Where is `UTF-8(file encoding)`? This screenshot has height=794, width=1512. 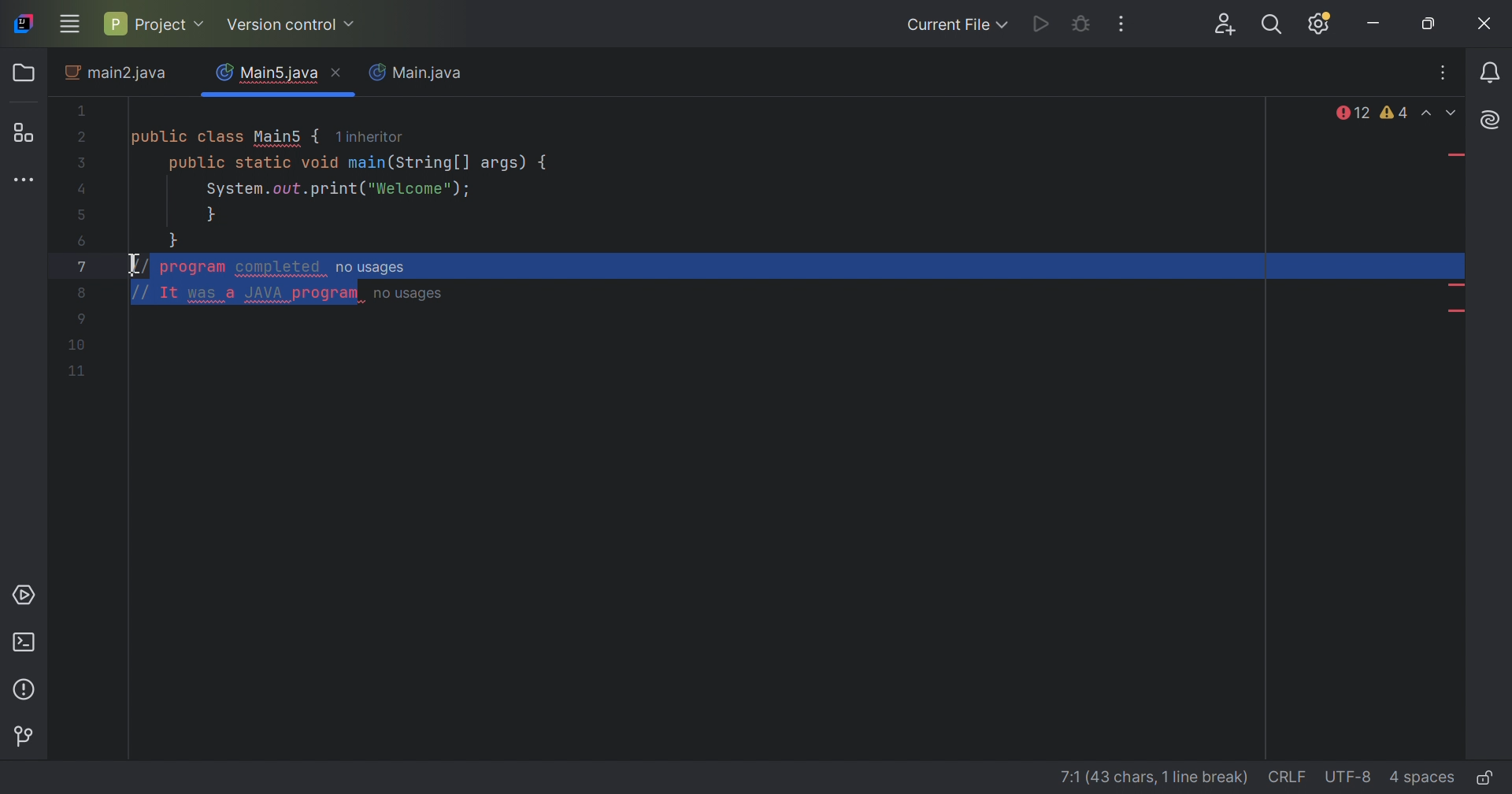 UTF-8(file encoding) is located at coordinates (1347, 777).